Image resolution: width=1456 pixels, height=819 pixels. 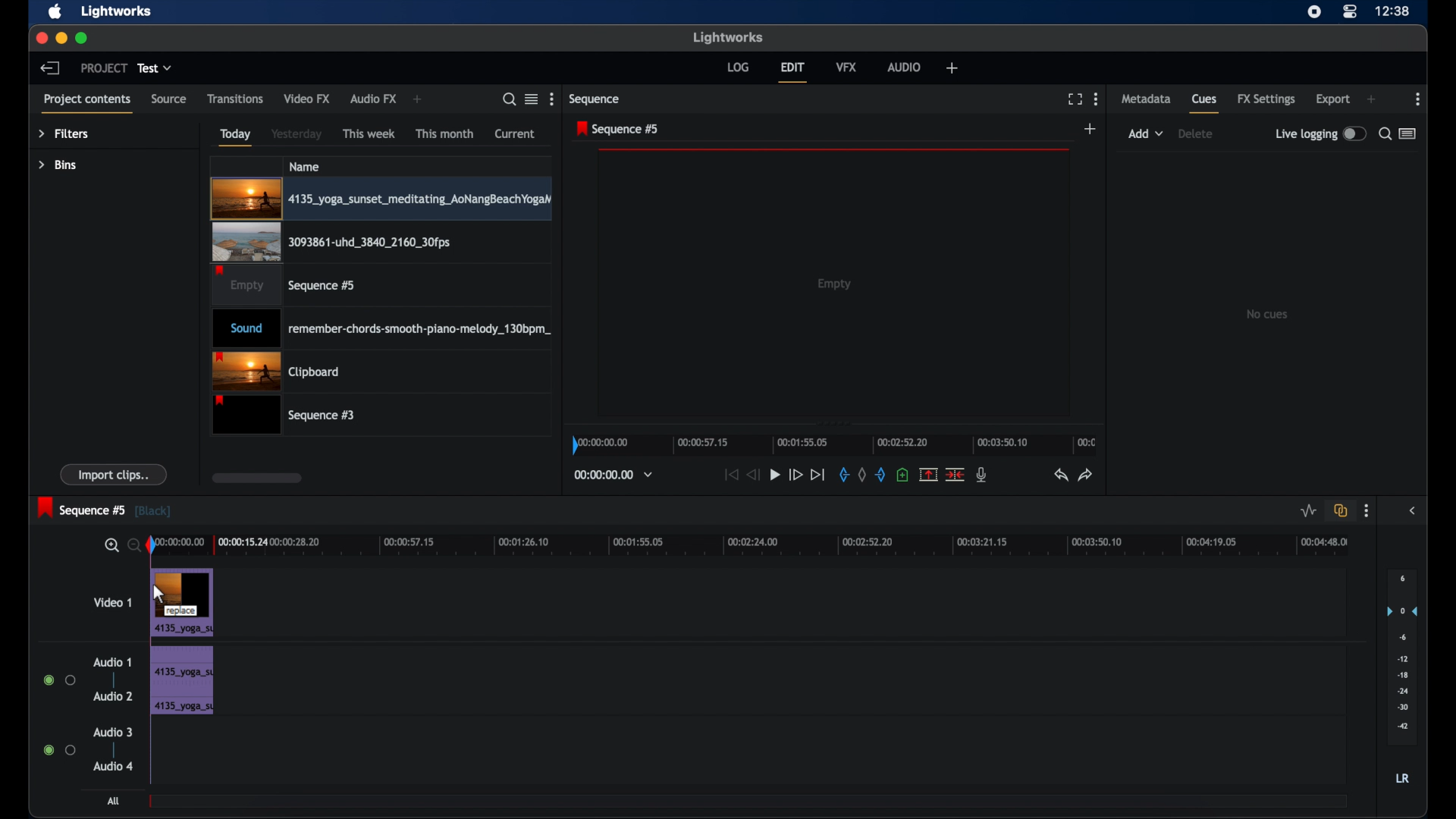 What do you see at coordinates (617, 128) in the screenshot?
I see `sequence` at bounding box center [617, 128].